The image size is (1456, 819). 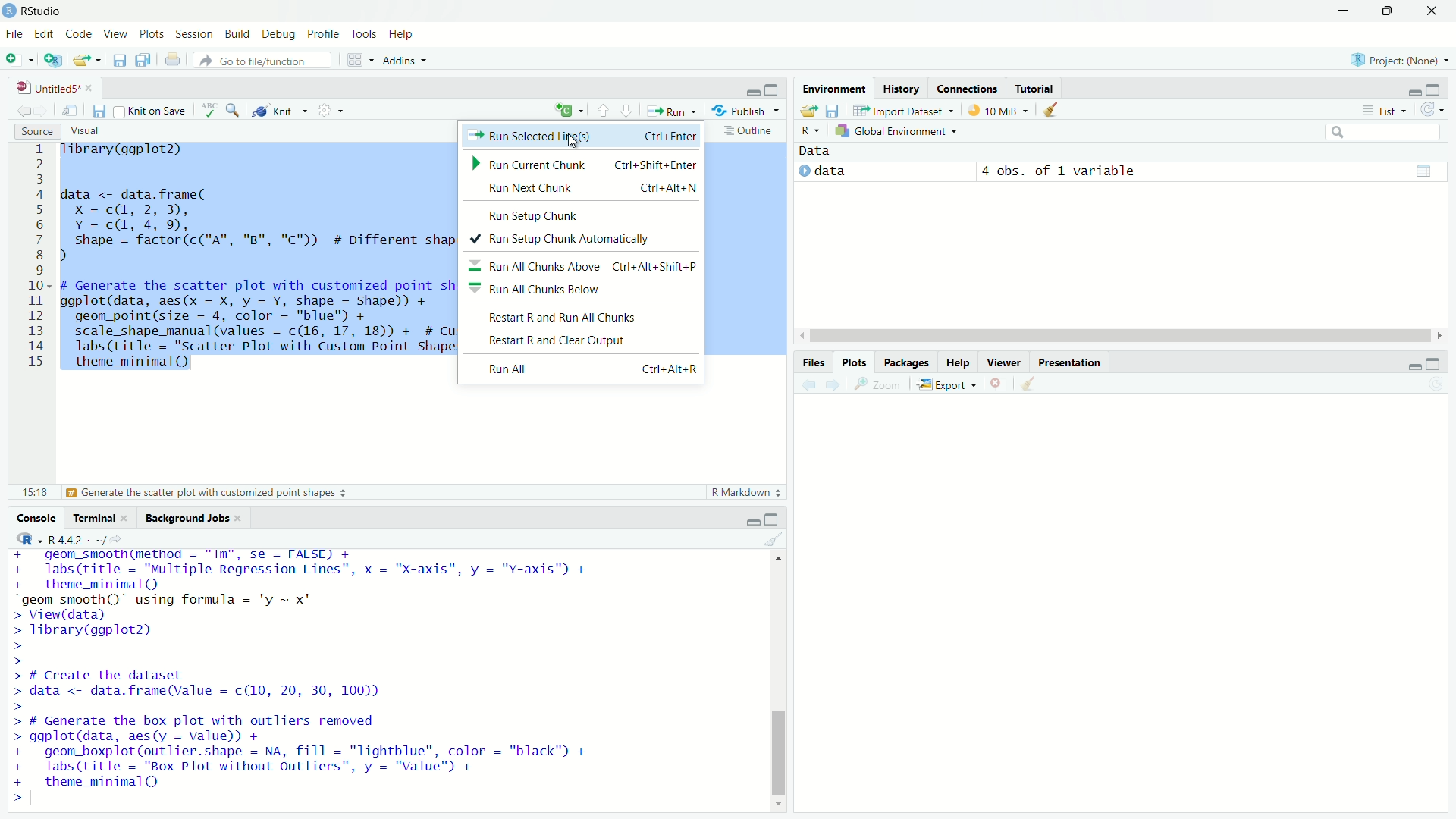 What do you see at coordinates (37, 257) in the screenshot?
I see `Line numbers` at bounding box center [37, 257].